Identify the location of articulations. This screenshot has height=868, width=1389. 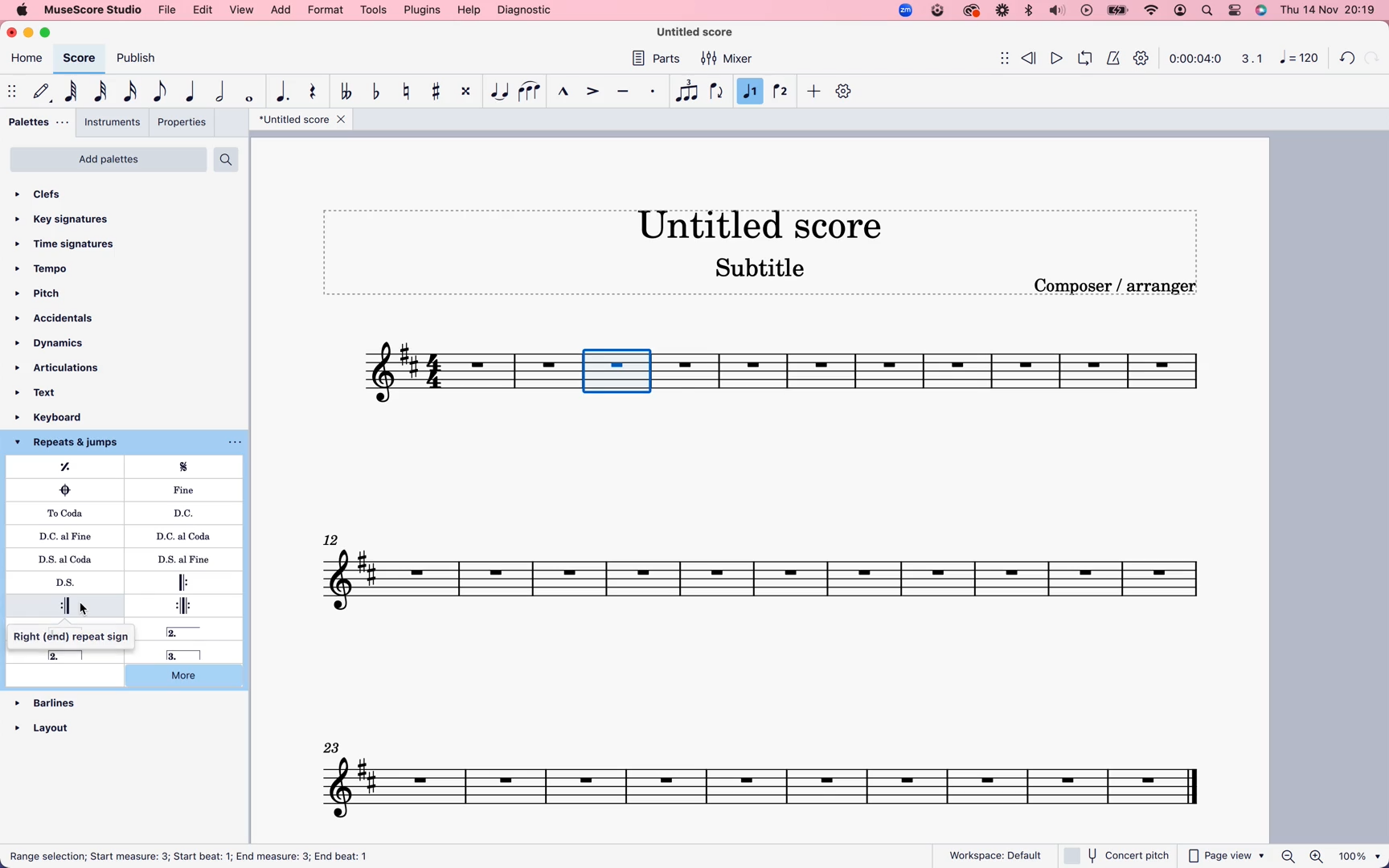
(61, 367).